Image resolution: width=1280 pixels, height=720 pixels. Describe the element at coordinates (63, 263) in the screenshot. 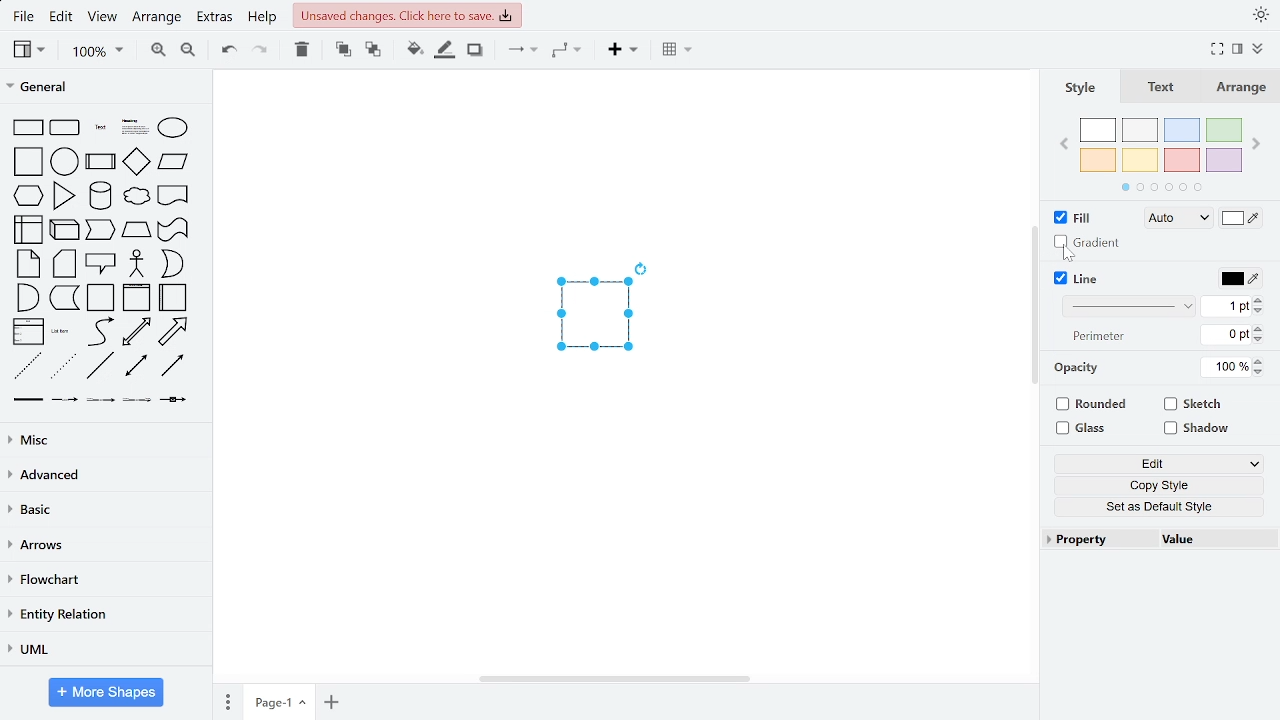

I see `general shapes` at that location.